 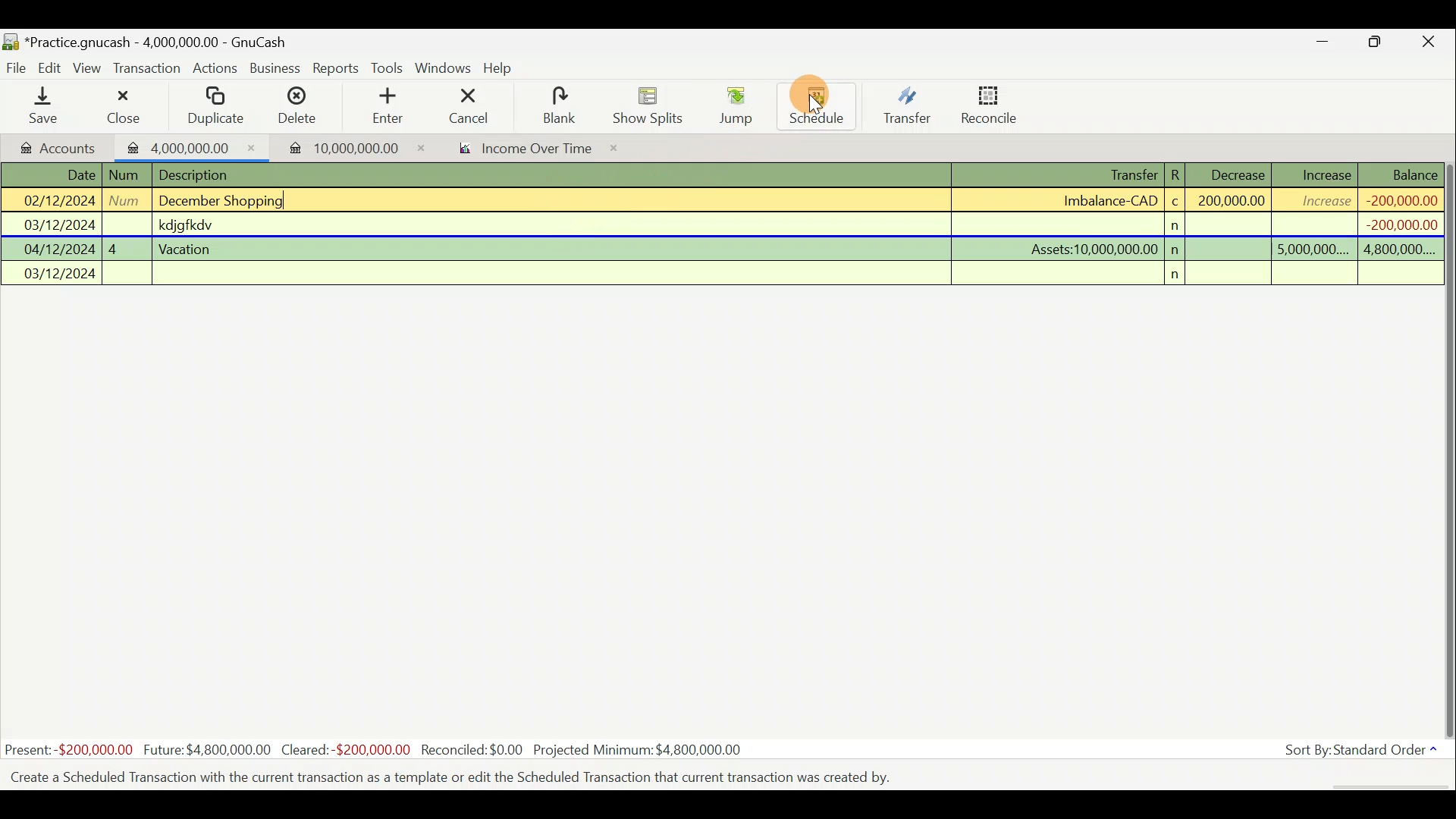 What do you see at coordinates (276, 69) in the screenshot?
I see `Business` at bounding box center [276, 69].